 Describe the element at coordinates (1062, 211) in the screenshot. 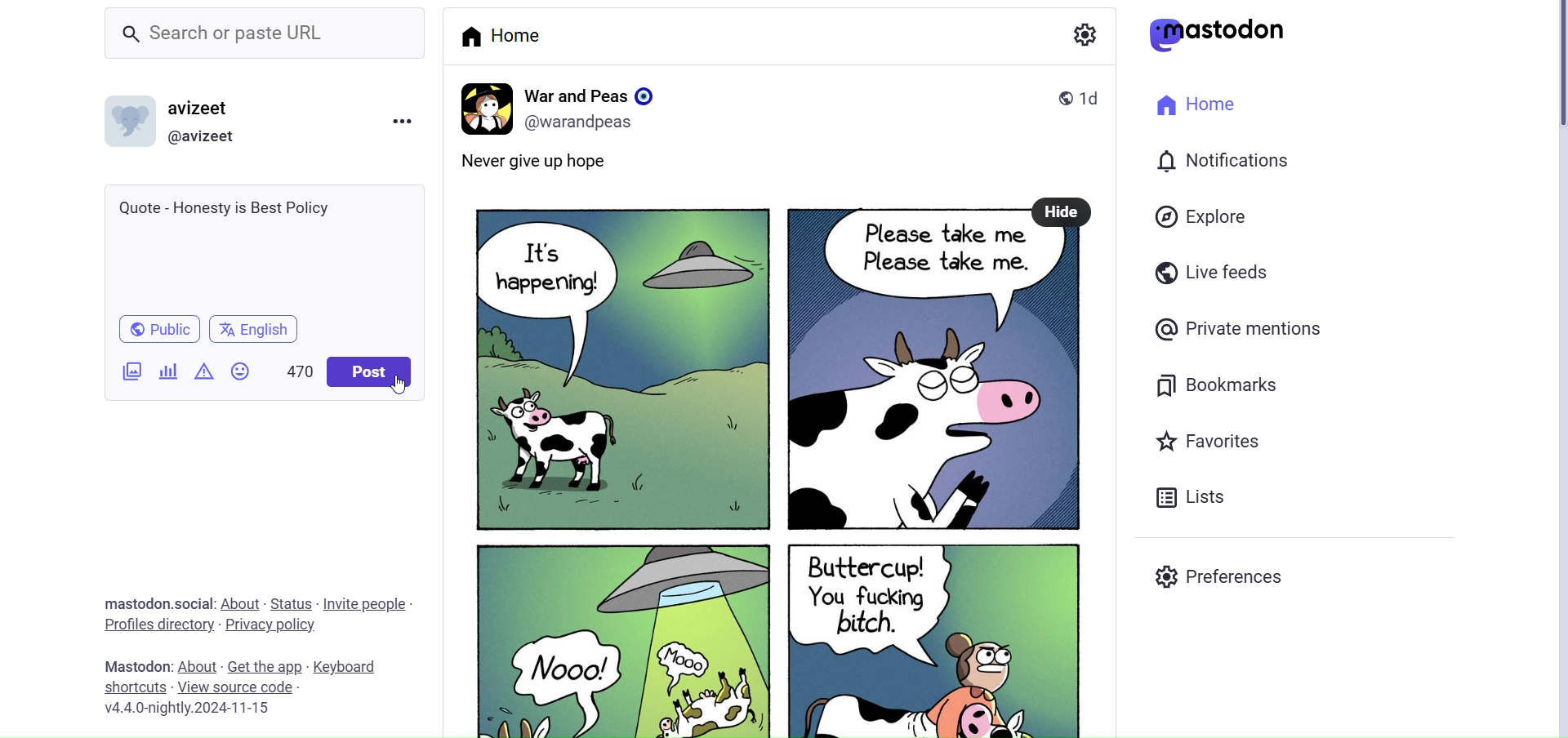

I see `Hide` at that location.